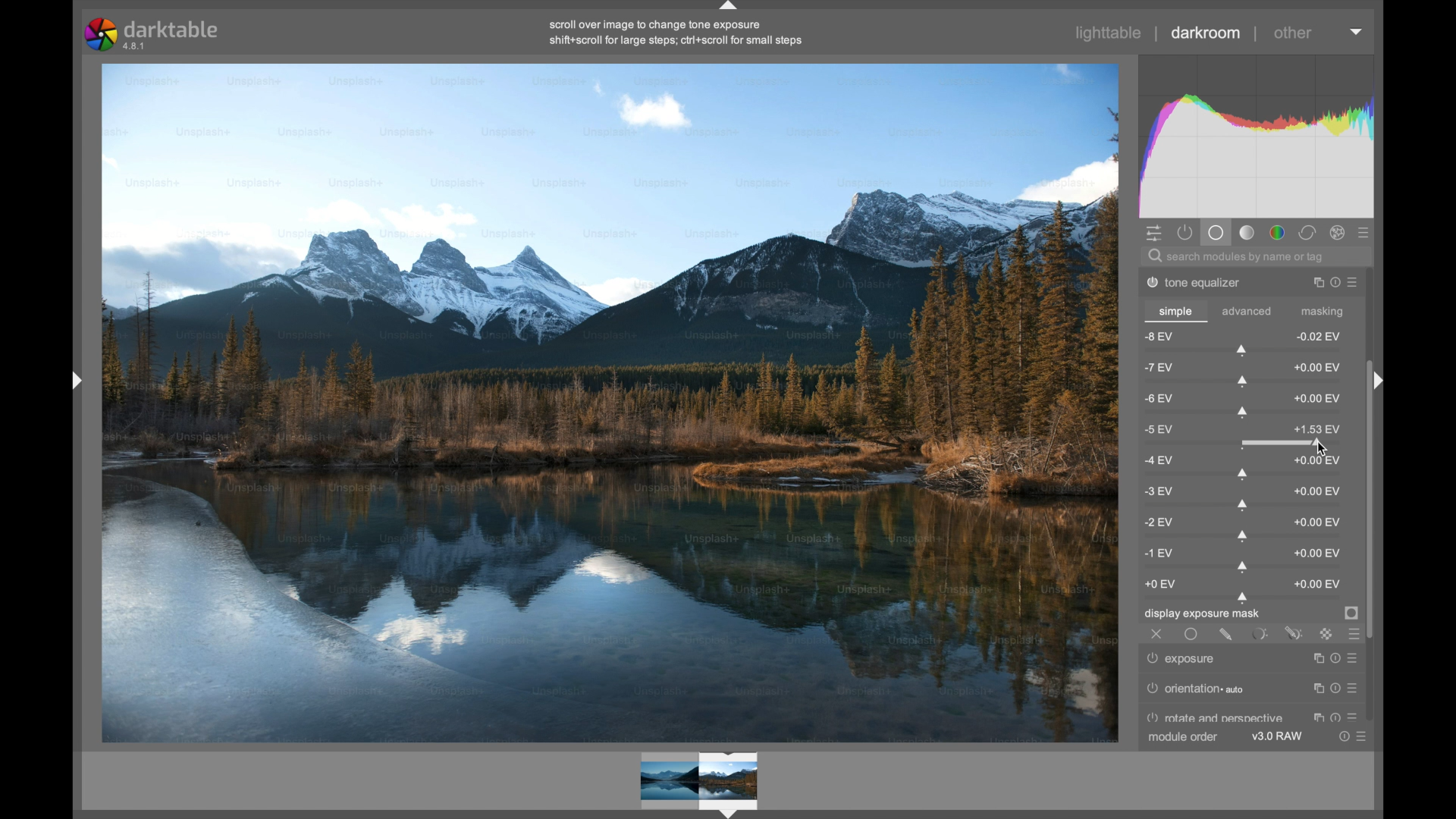  I want to click on slider, so click(1283, 444).